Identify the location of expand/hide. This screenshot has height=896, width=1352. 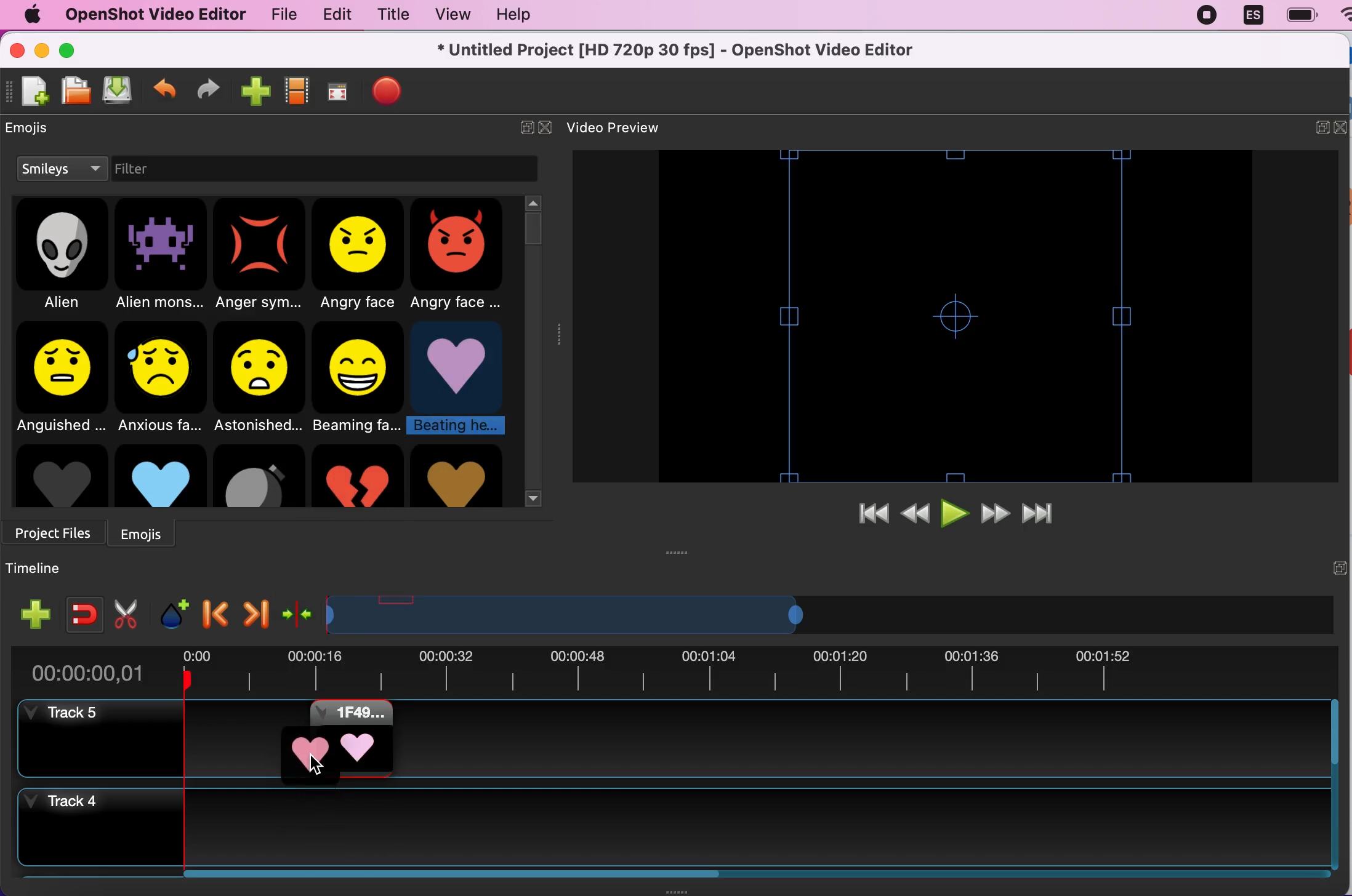
(519, 126).